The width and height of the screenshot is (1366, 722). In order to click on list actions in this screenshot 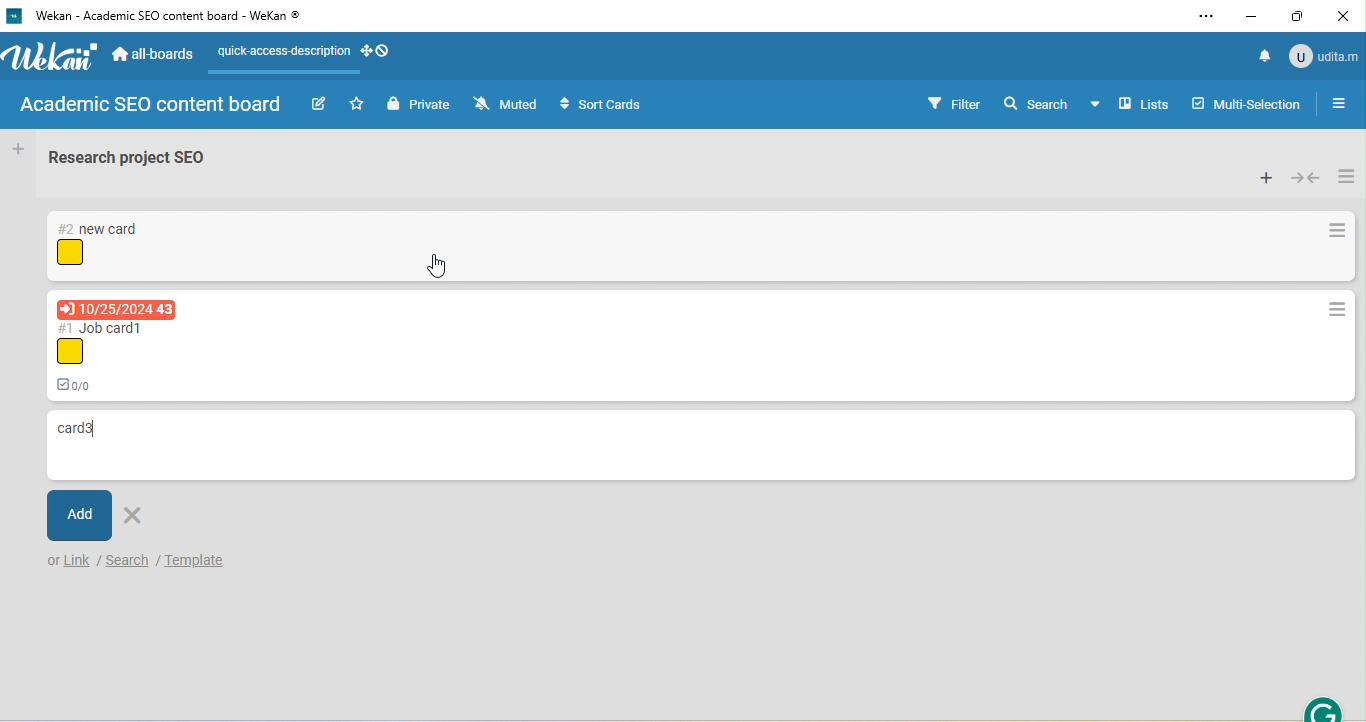, I will do `click(1346, 174)`.